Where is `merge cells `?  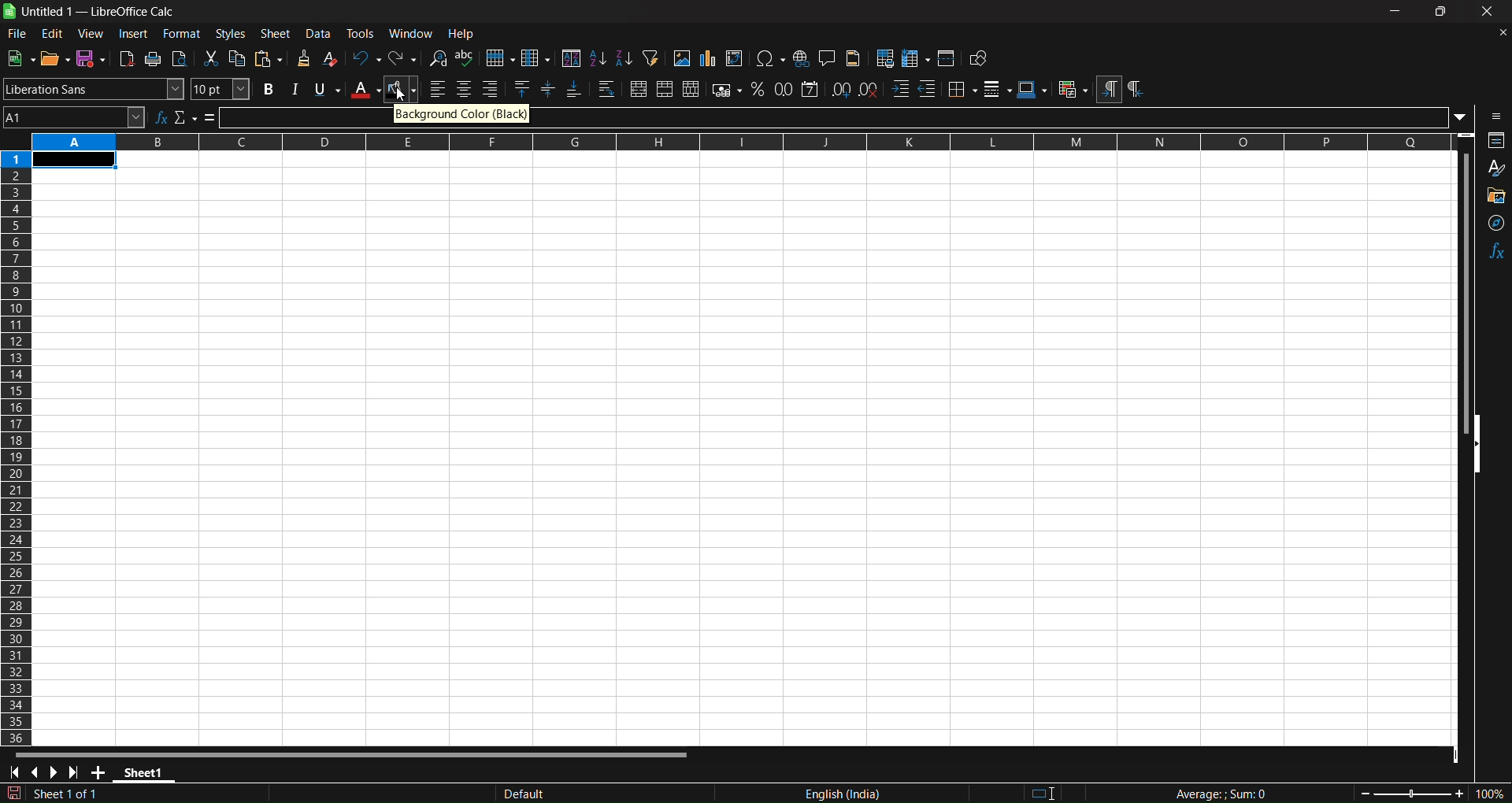 merge cells  is located at coordinates (665, 90).